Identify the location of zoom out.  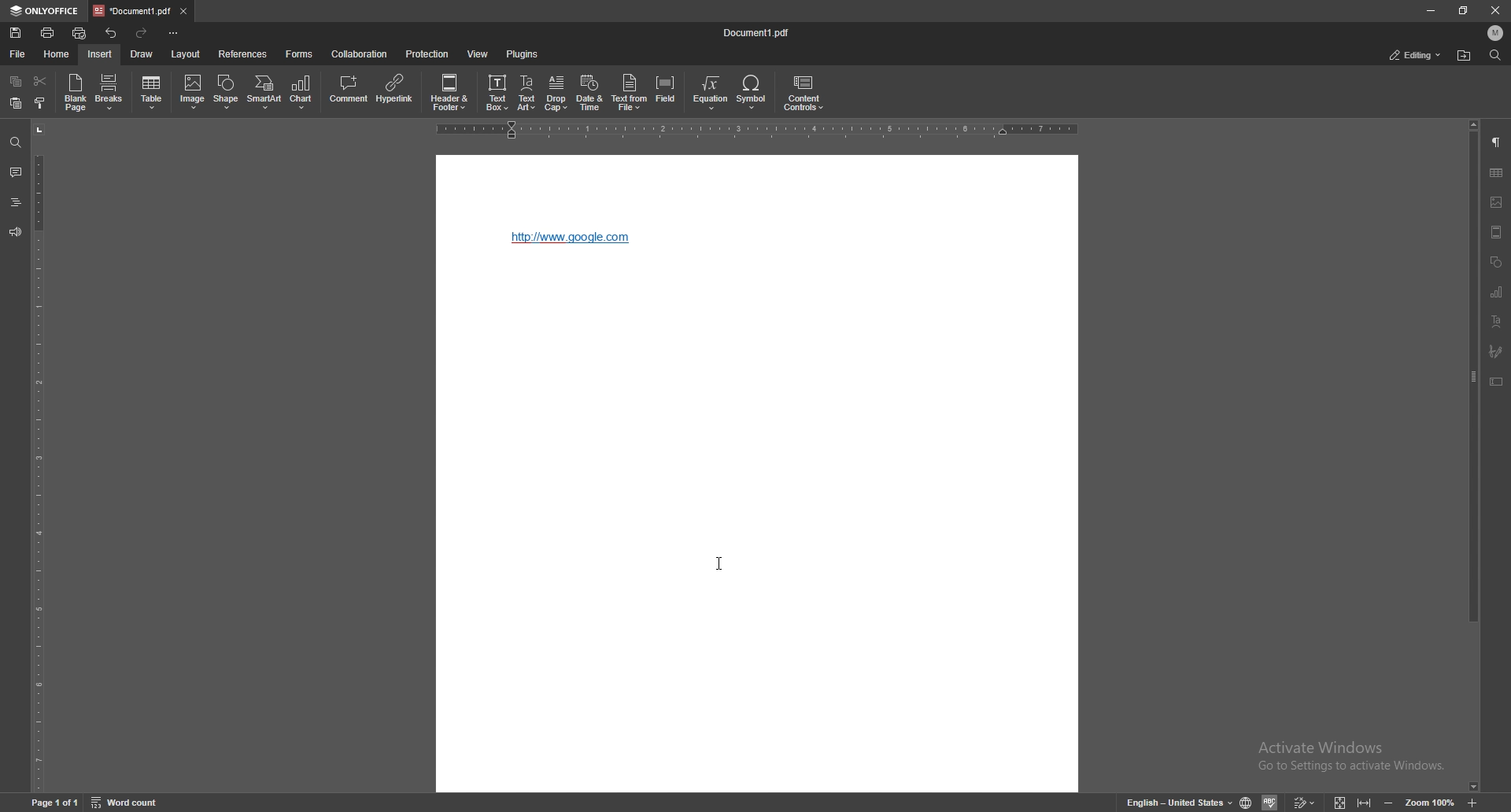
(1389, 802).